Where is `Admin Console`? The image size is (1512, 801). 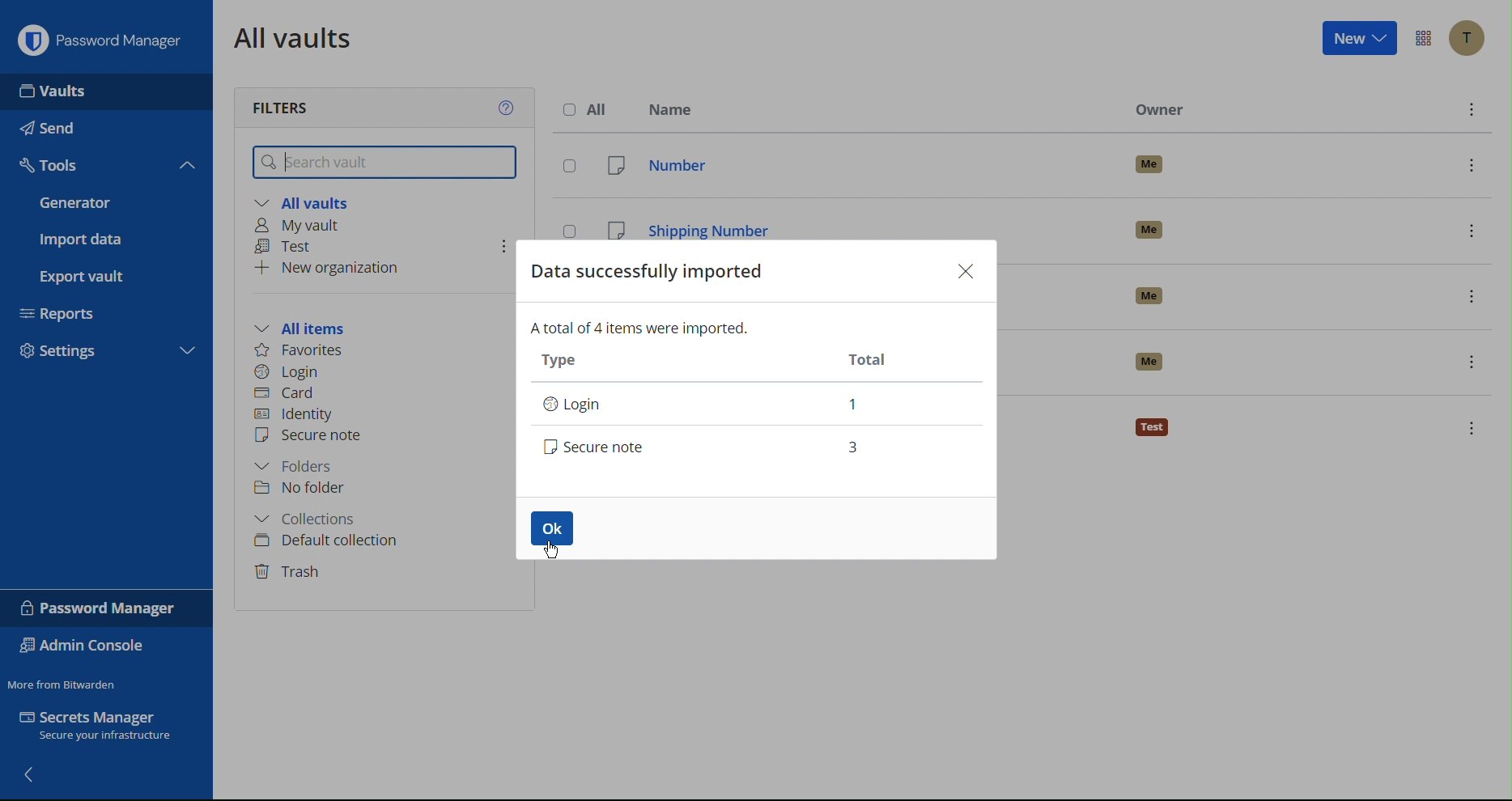 Admin Console is located at coordinates (83, 647).